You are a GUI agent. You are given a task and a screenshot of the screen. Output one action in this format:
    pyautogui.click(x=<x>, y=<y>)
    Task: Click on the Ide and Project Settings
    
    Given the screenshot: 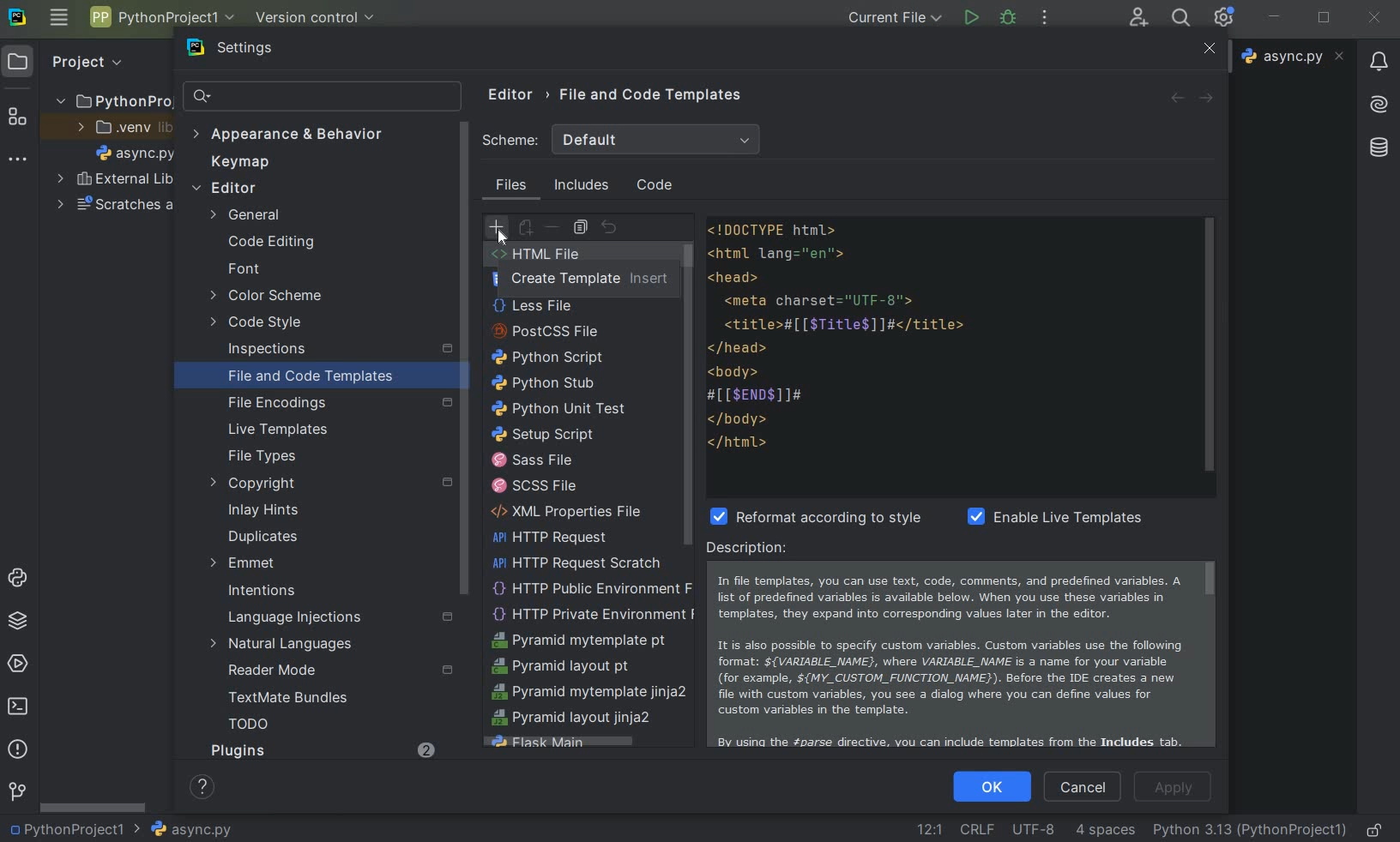 What is the action you would take?
    pyautogui.click(x=1226, y=17)
    